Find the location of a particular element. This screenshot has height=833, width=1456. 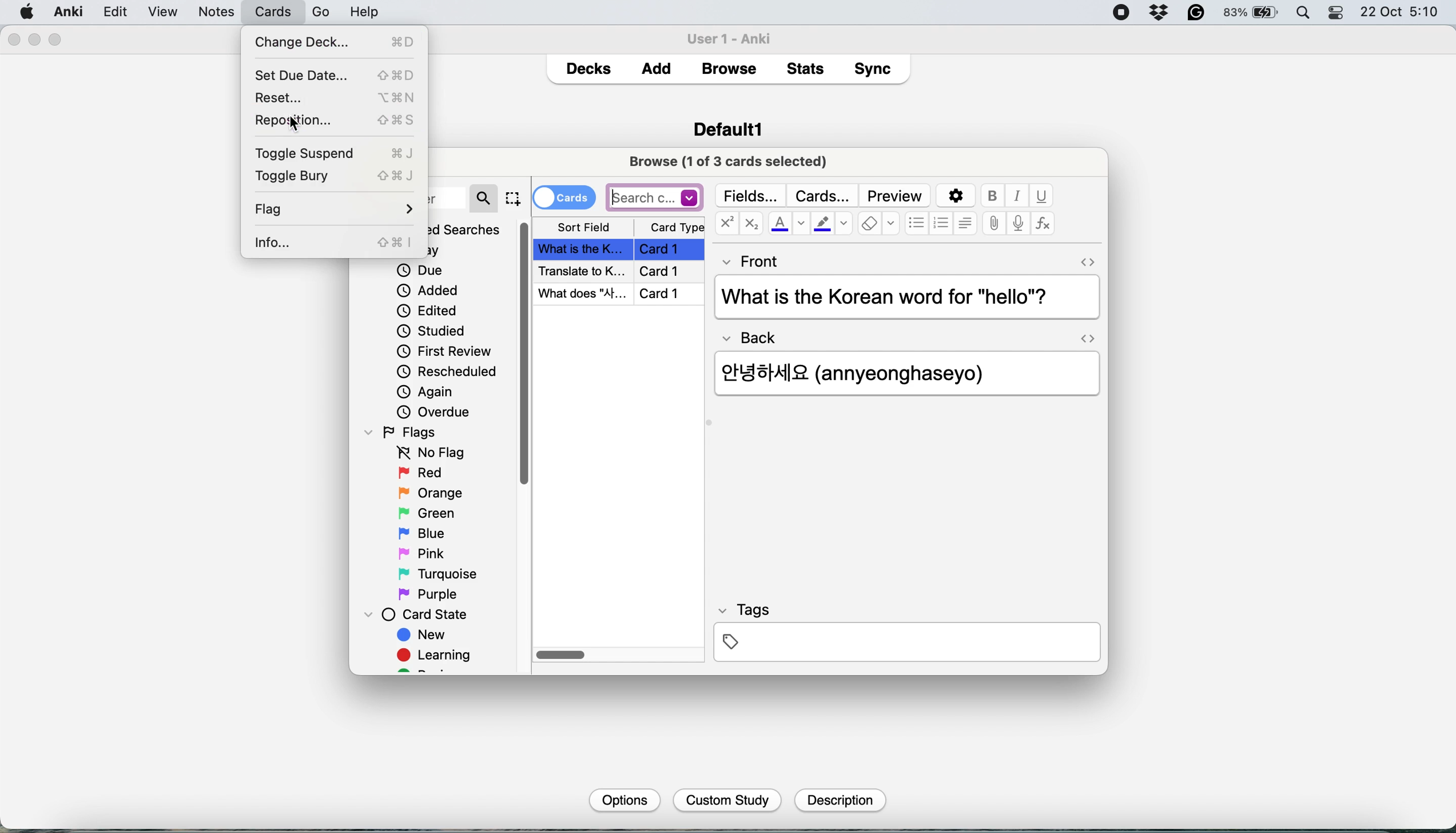

reset is located at coordinates (335, 96).